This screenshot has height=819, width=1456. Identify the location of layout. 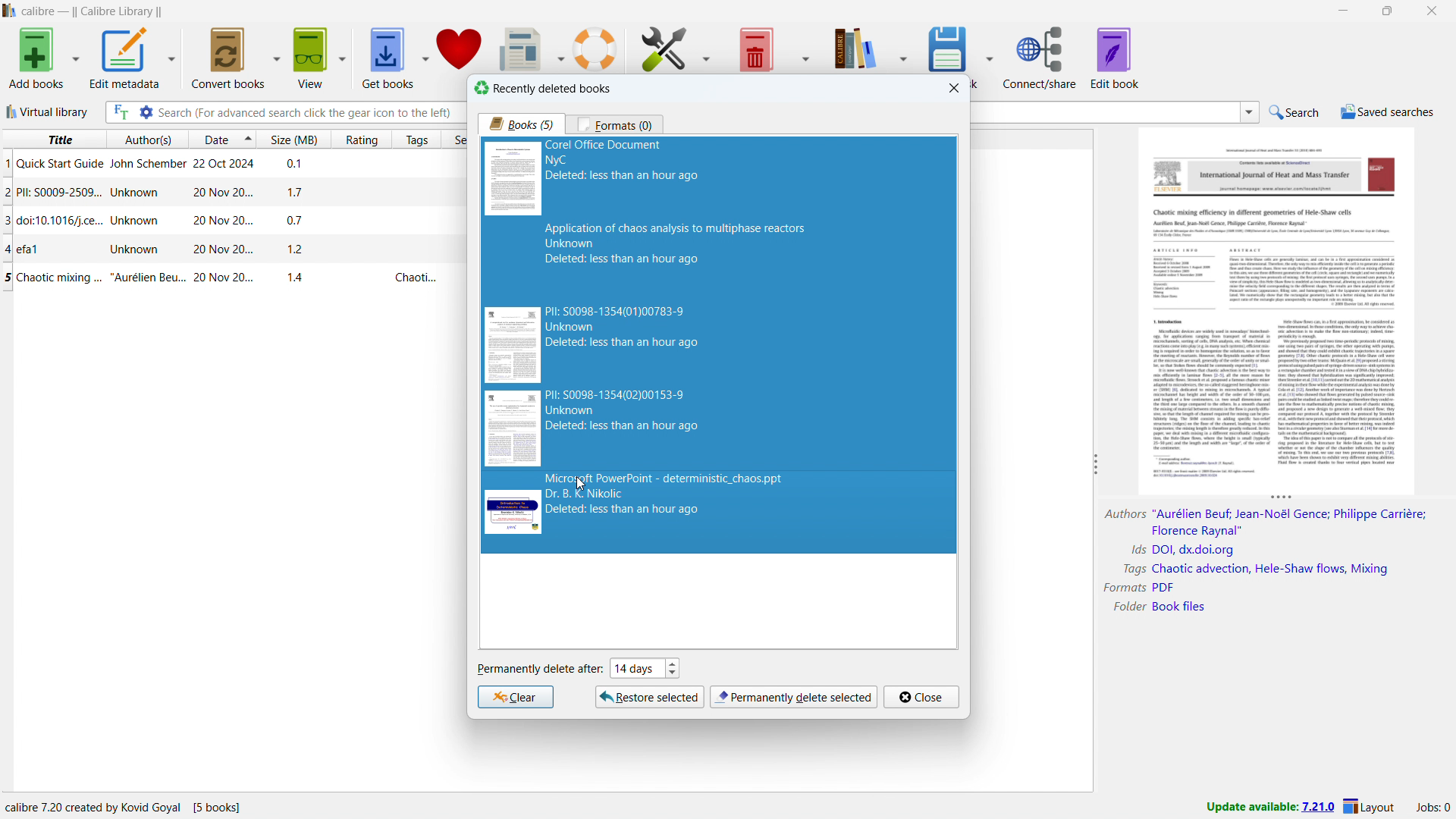
(1371, 807).